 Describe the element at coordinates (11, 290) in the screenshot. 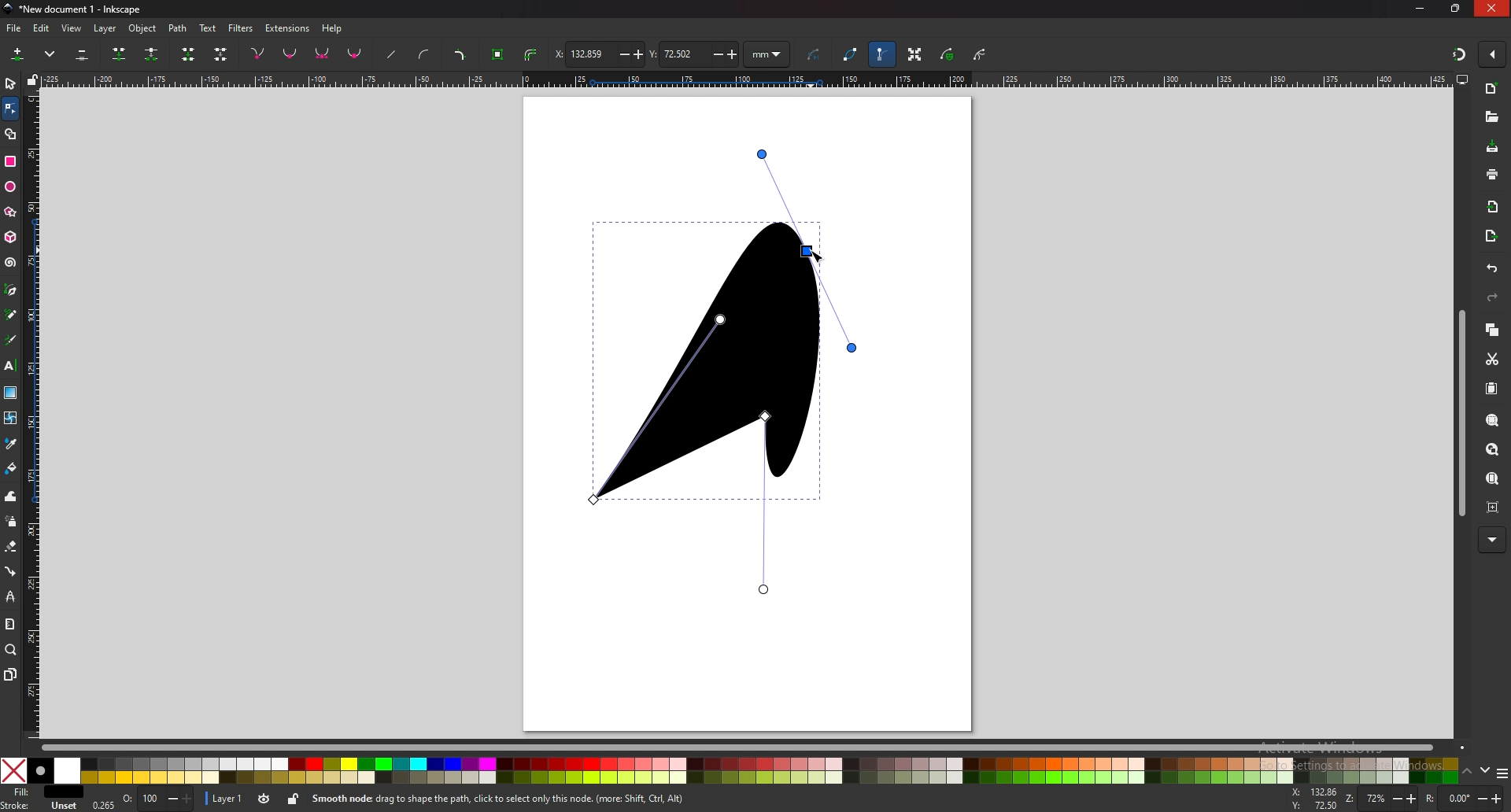

I see `pen` at that location.